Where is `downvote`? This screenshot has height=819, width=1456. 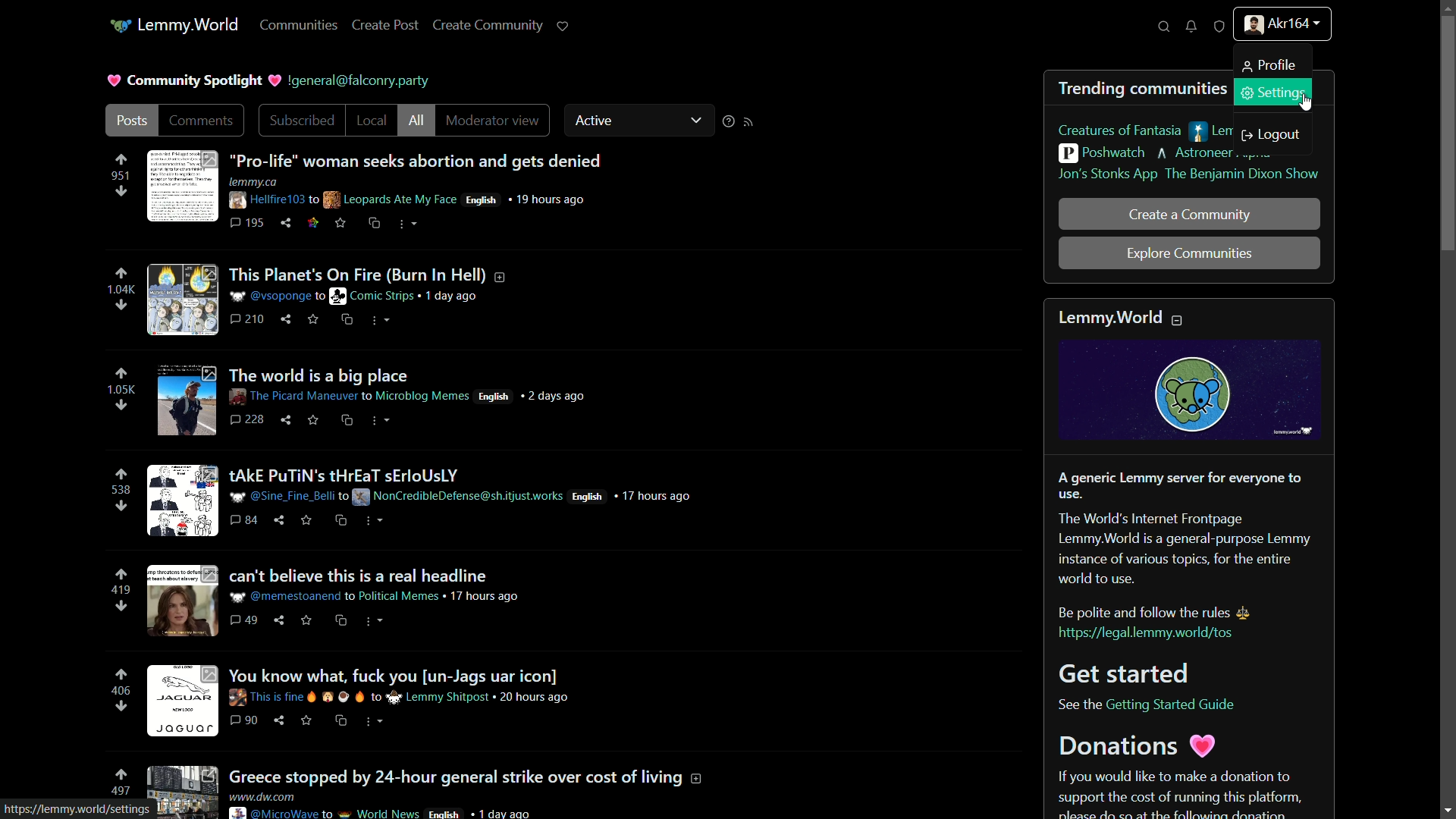
downvote is located at coordinates (124, 507).